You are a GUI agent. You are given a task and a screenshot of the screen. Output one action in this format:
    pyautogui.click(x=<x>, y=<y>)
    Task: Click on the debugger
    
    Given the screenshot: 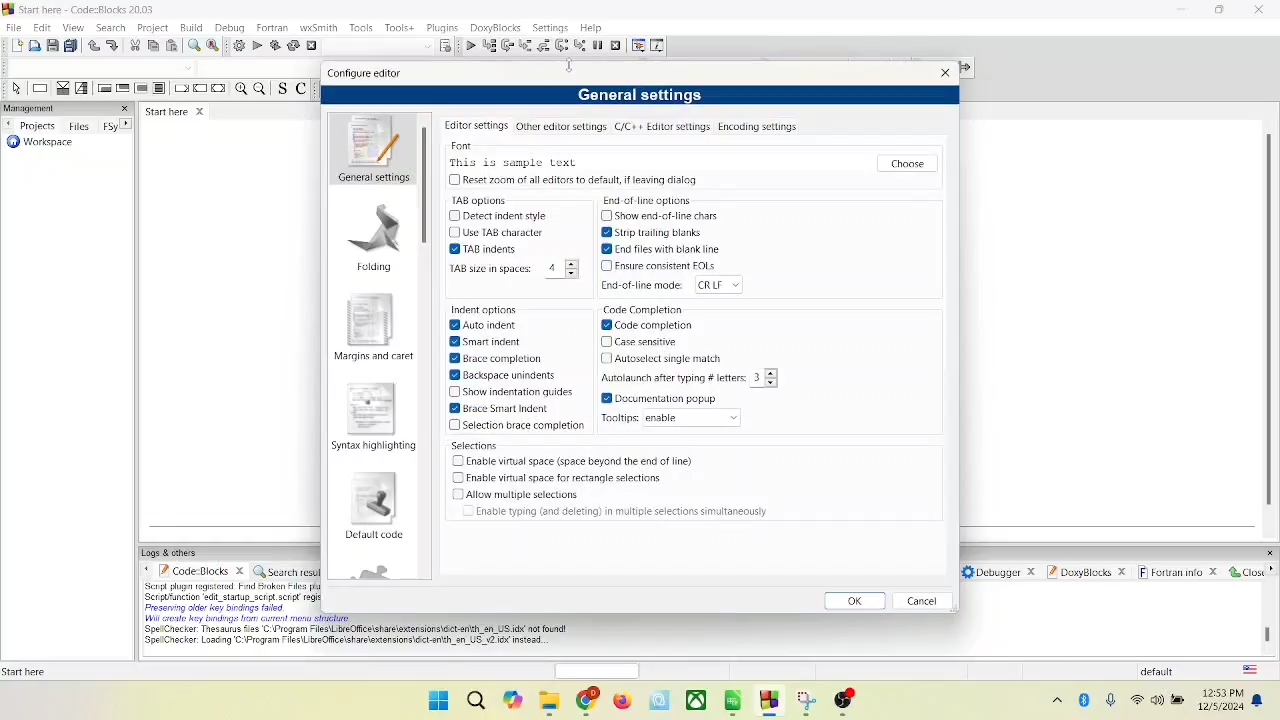 What is the action you would take?
    pyautogui.click(x=1002, y=572)
    